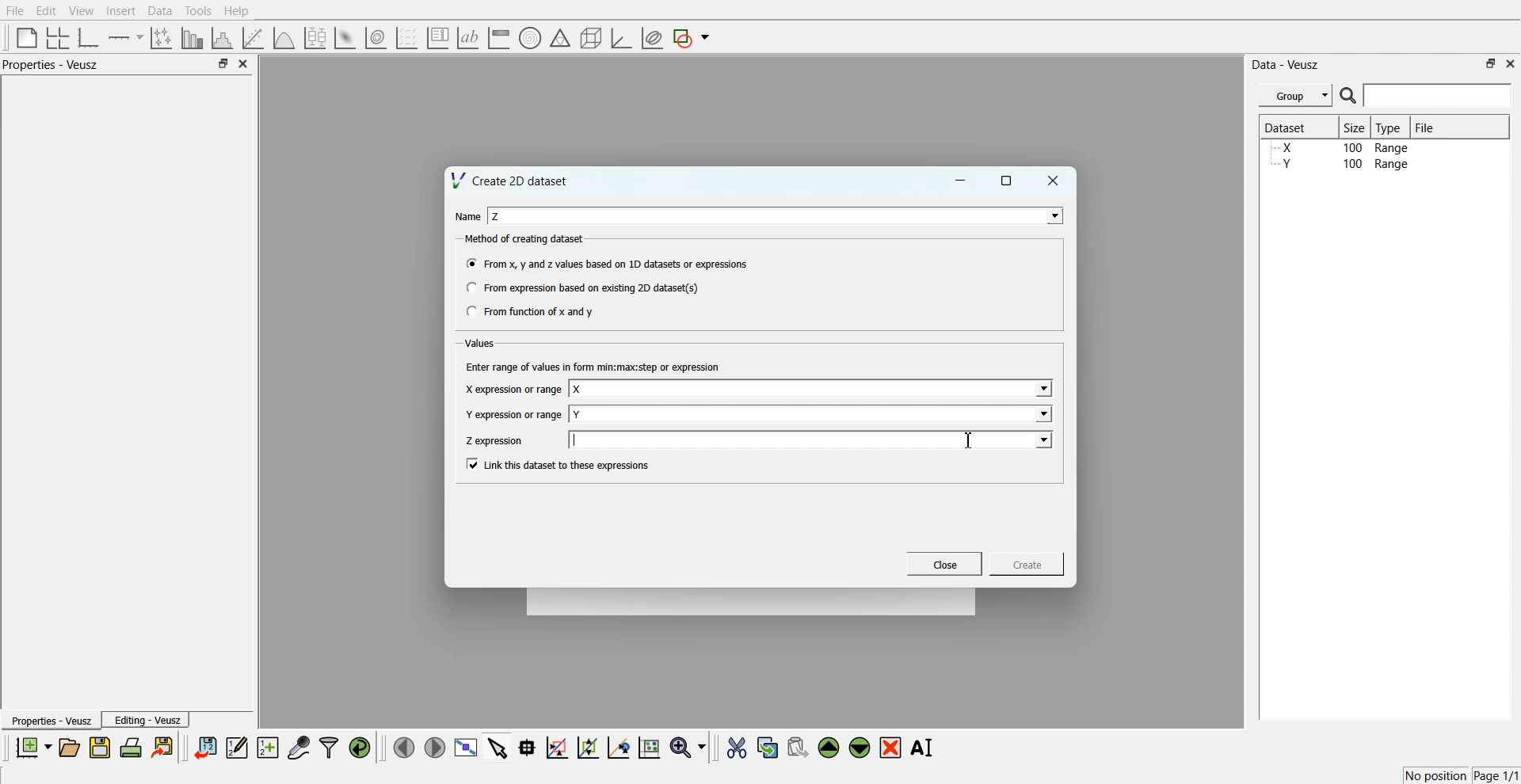 This screenshot has width=1521, height=784. Describe the element at coordinates (284, 38) in the screenshot. I see `3D Function` at that location.